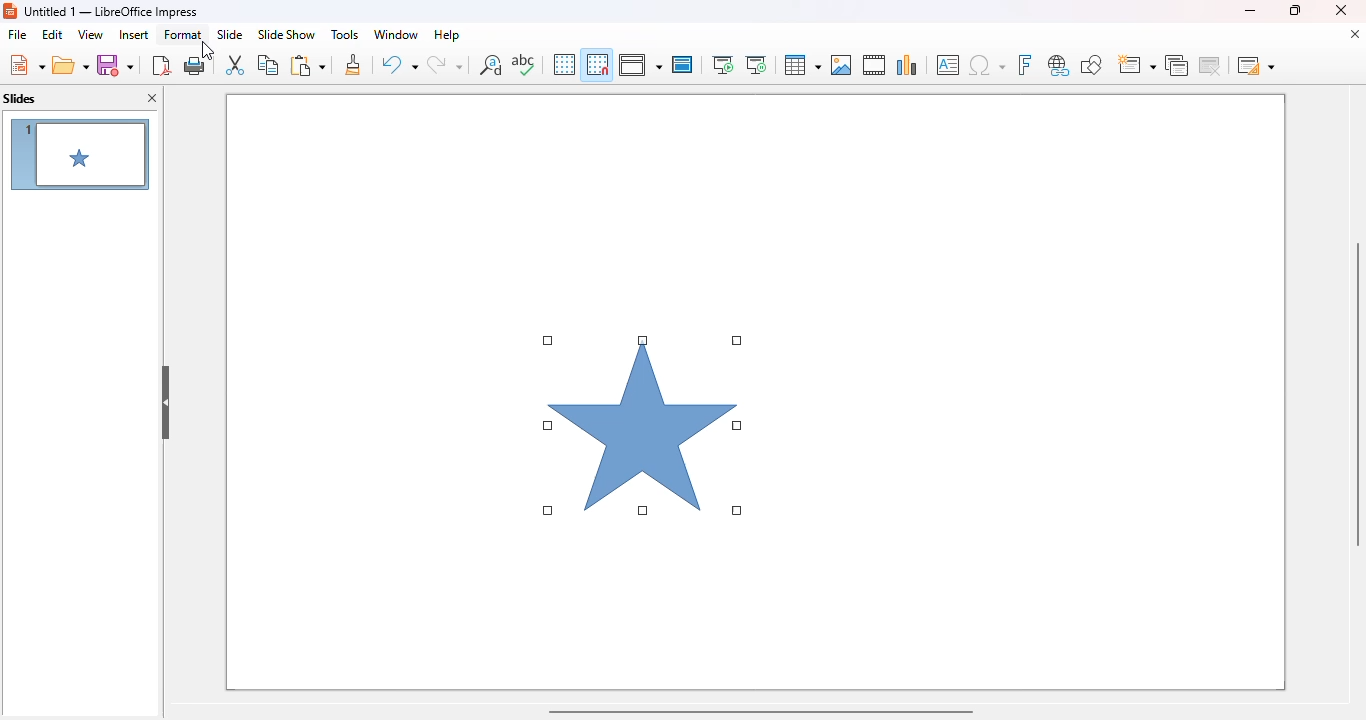  Describe the element at coordinates (71, 66) in the screenshot. I see `open` at that location.